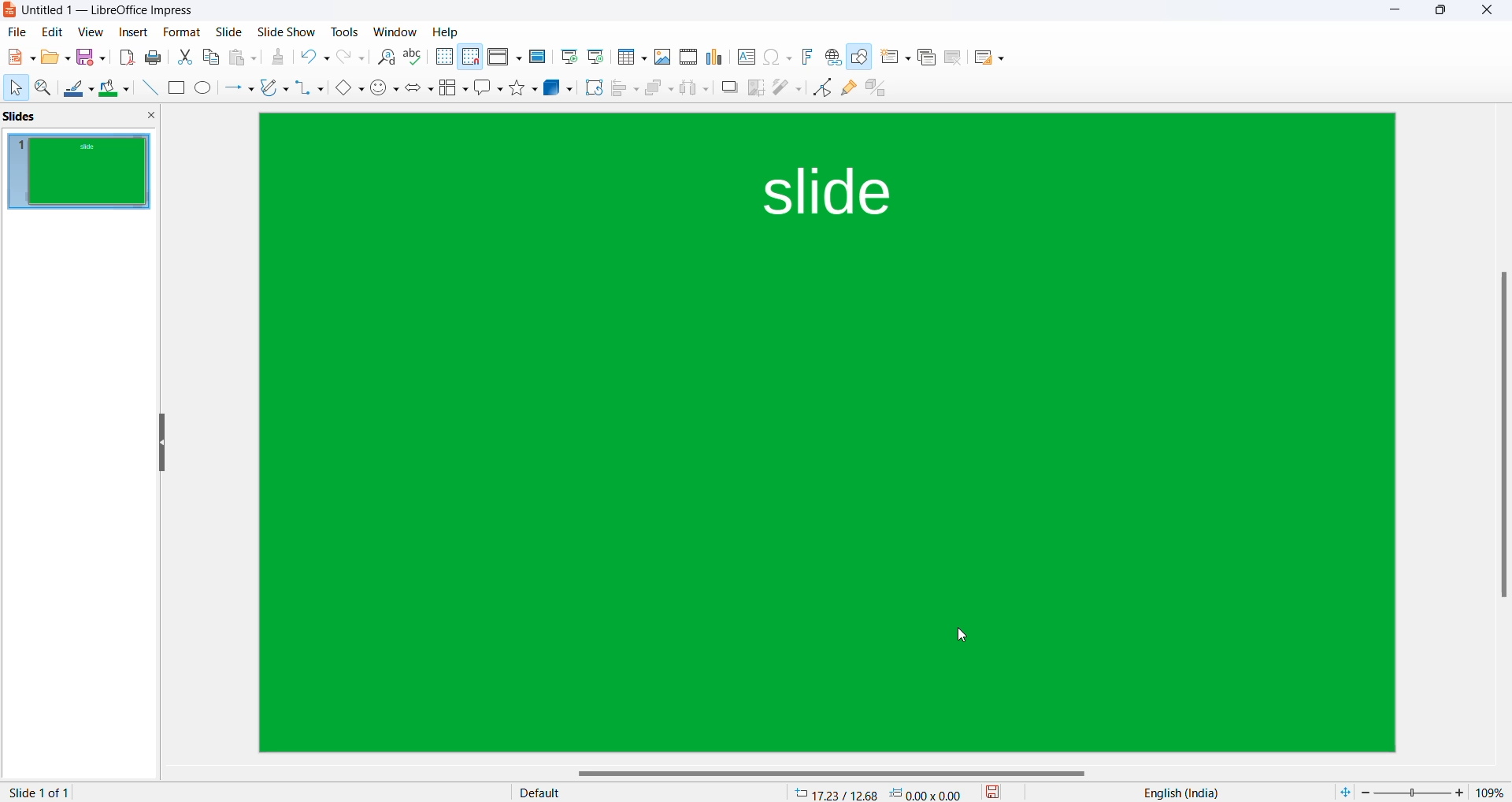  Describe the element at coordinates (346, 31) in the screenshot. I see `tools` at that location.